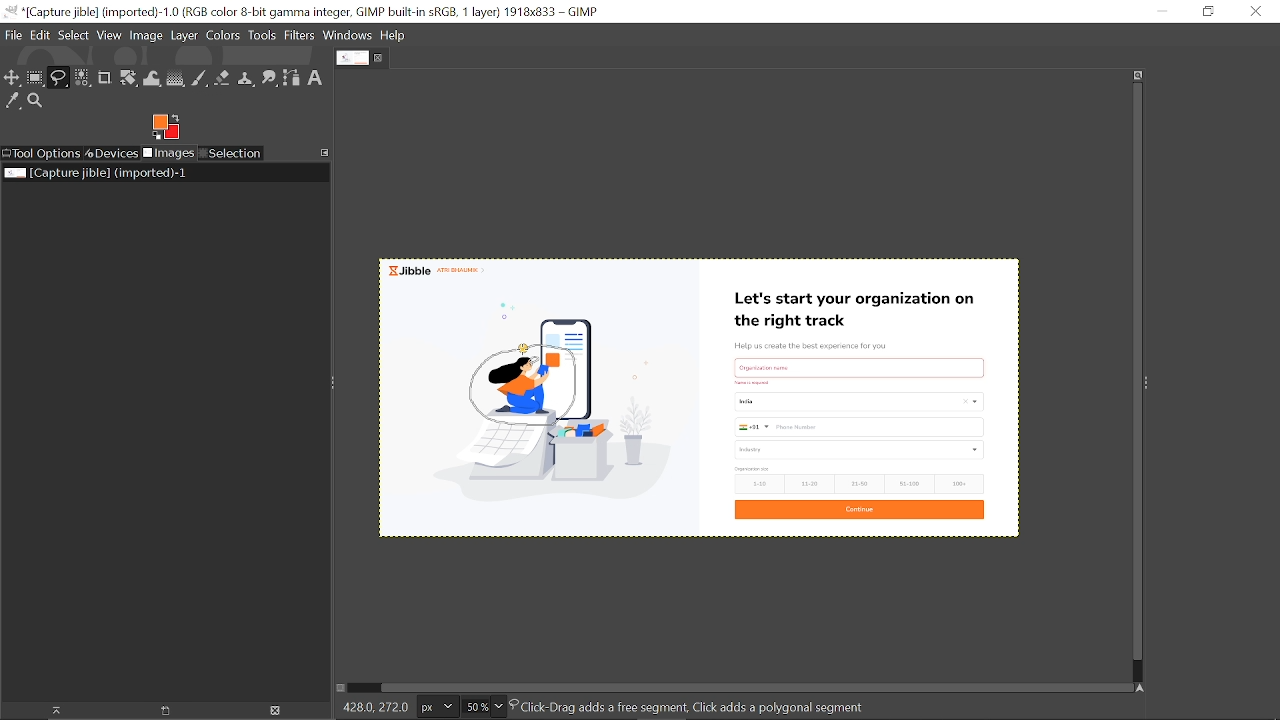 The width and height of the screenshot is (1280, 720). What do you see at coordinates (705, 707) in the screenshot?
I see `Click-Drag adds a free segment, Click adds a polygonal segment` at bounding box center [705, 707].